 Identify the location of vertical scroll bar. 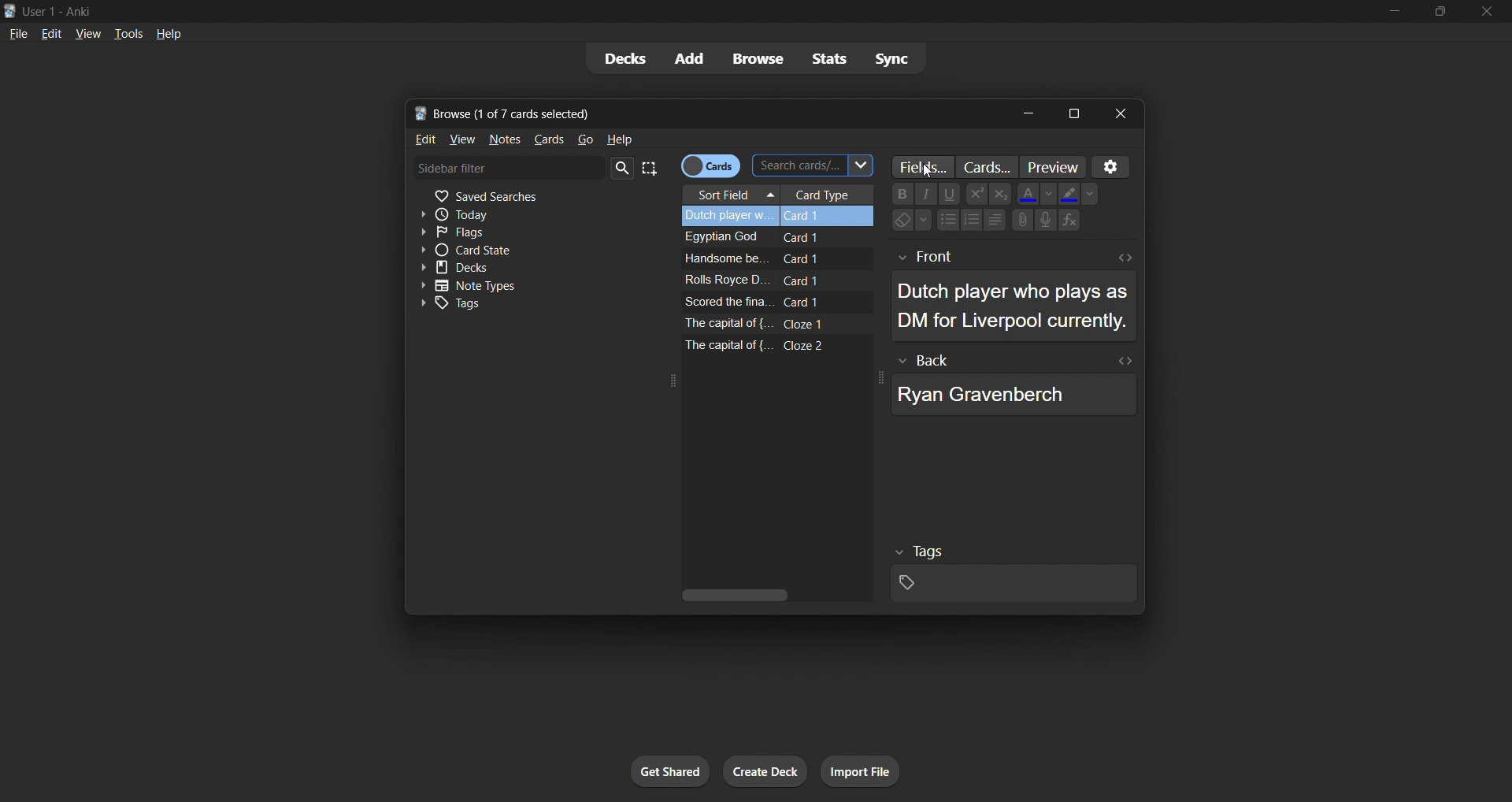
(772, 594).